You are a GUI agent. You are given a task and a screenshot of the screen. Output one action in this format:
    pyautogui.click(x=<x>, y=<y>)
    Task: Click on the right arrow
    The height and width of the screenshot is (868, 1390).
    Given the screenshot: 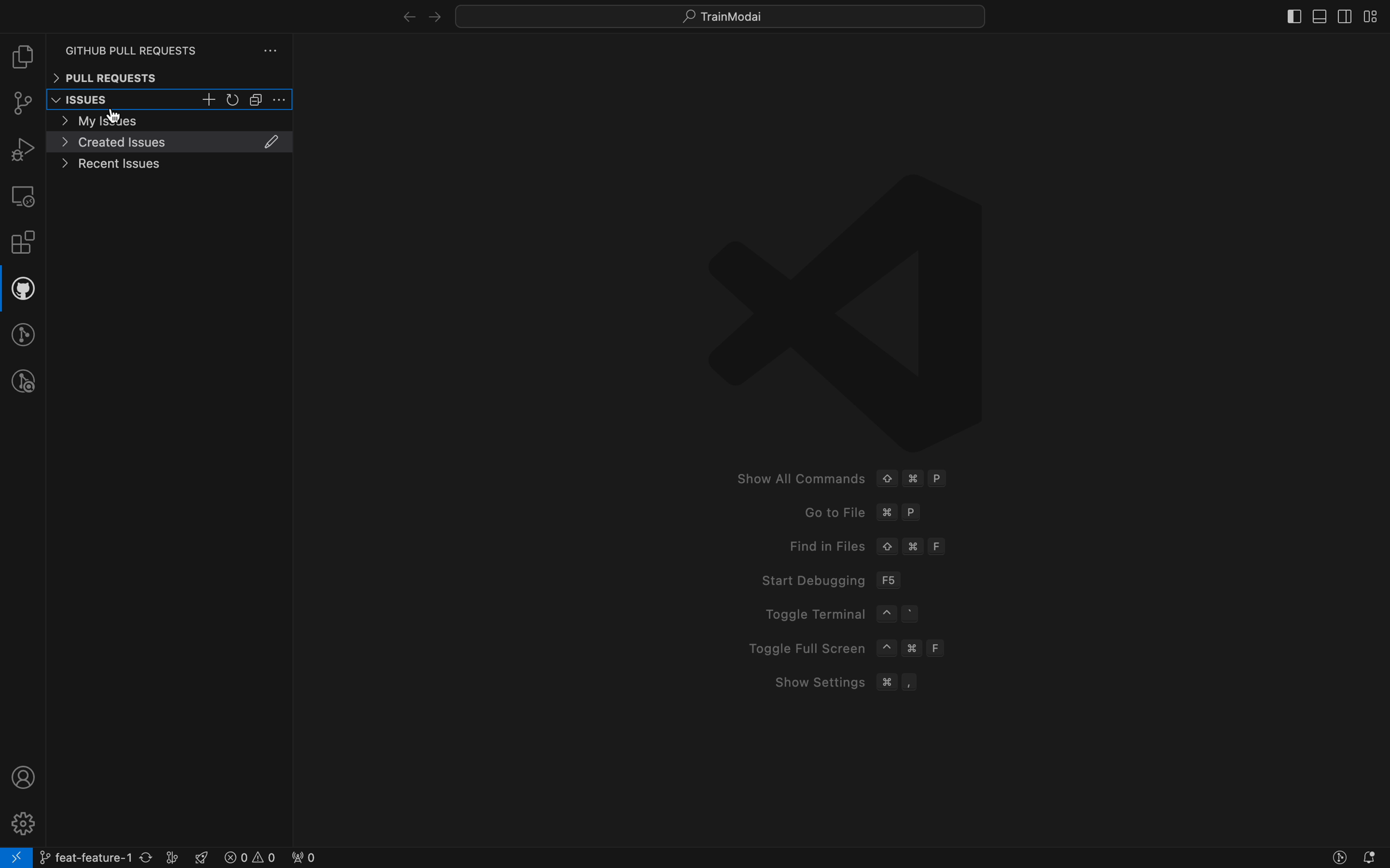 What is the action you would take?
    pyautogui.click(x=399, y=13)
    